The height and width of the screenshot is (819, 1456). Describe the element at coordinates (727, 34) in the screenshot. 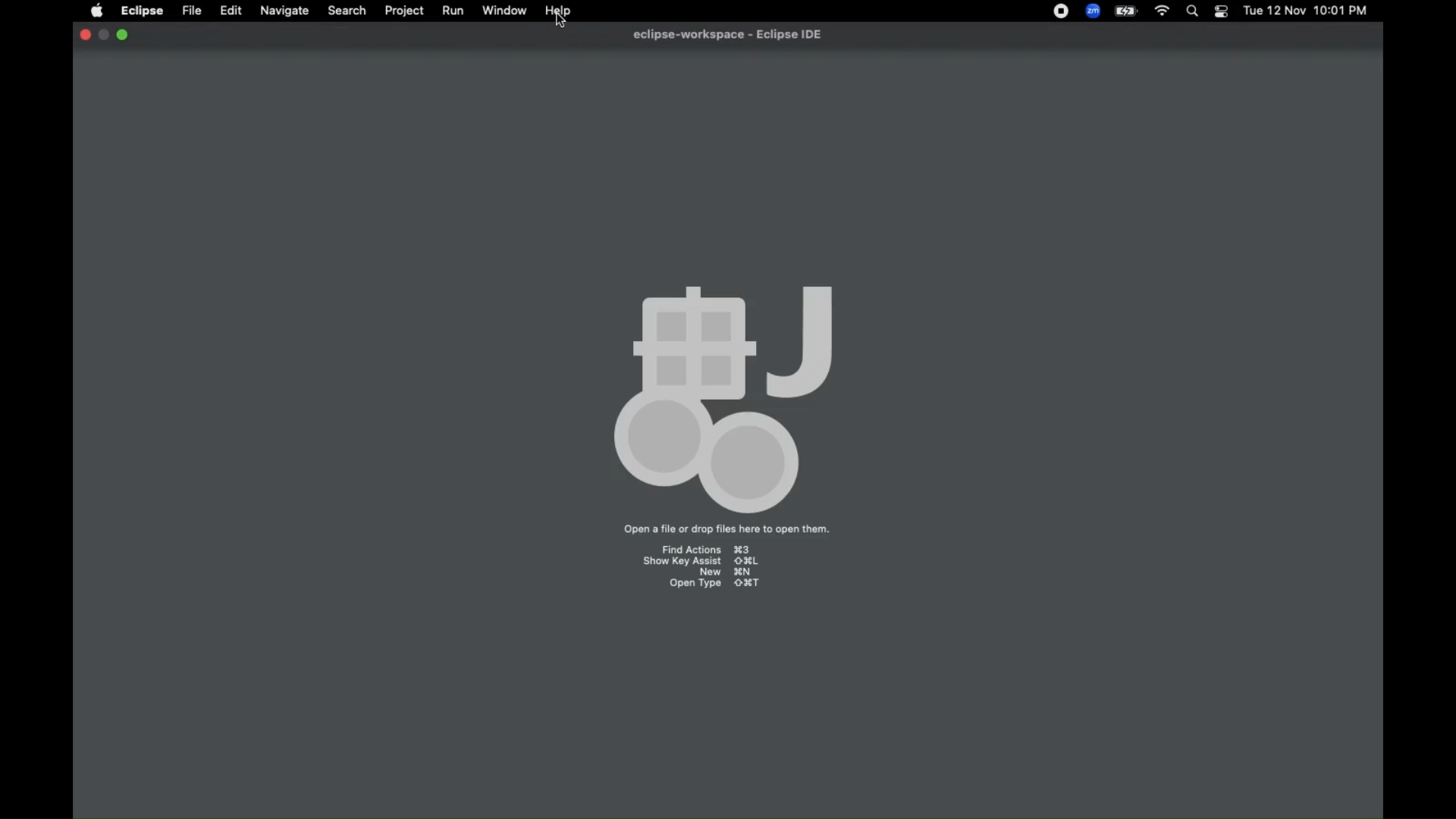

I see `Eclipse-Workspace - Eclipse IDE` at that location.